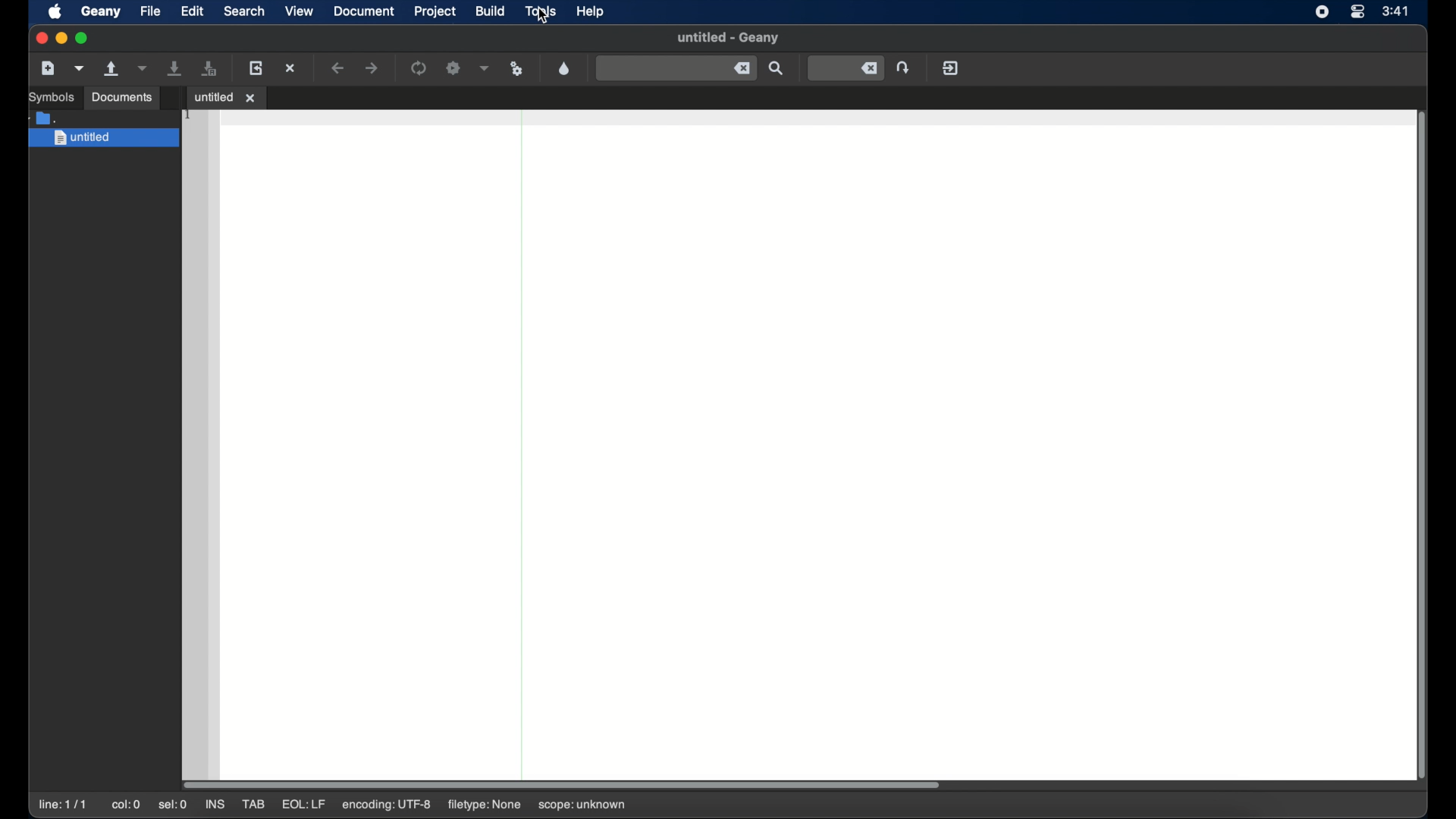 Image resolution: width=1456 pixels, height=819 pixels. Describe the element at coordinates (1322, 12) in the screenshot. I see `screen recorder icon` at that location.